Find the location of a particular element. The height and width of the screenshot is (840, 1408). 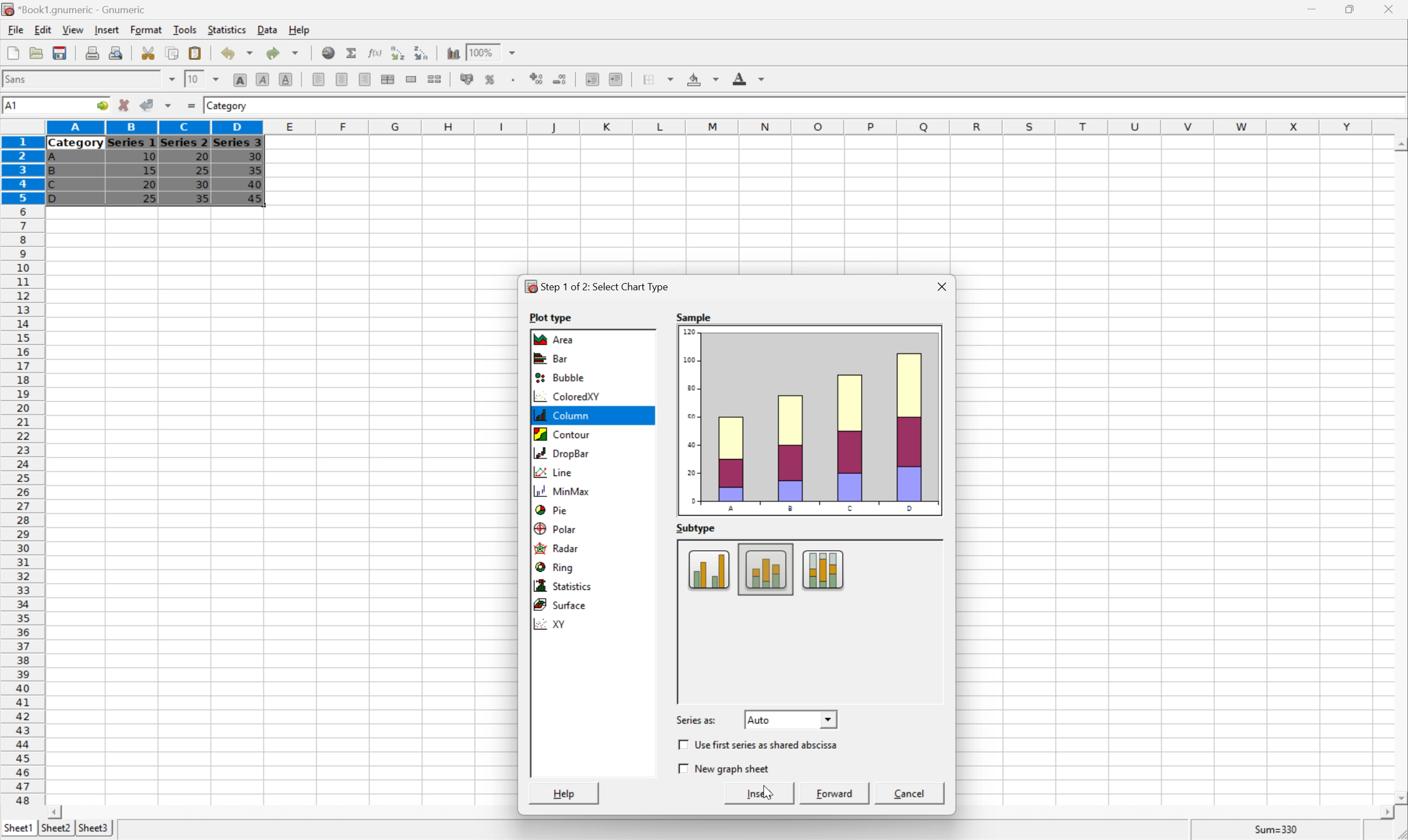

Print current file is located at coordinates (92, 54).